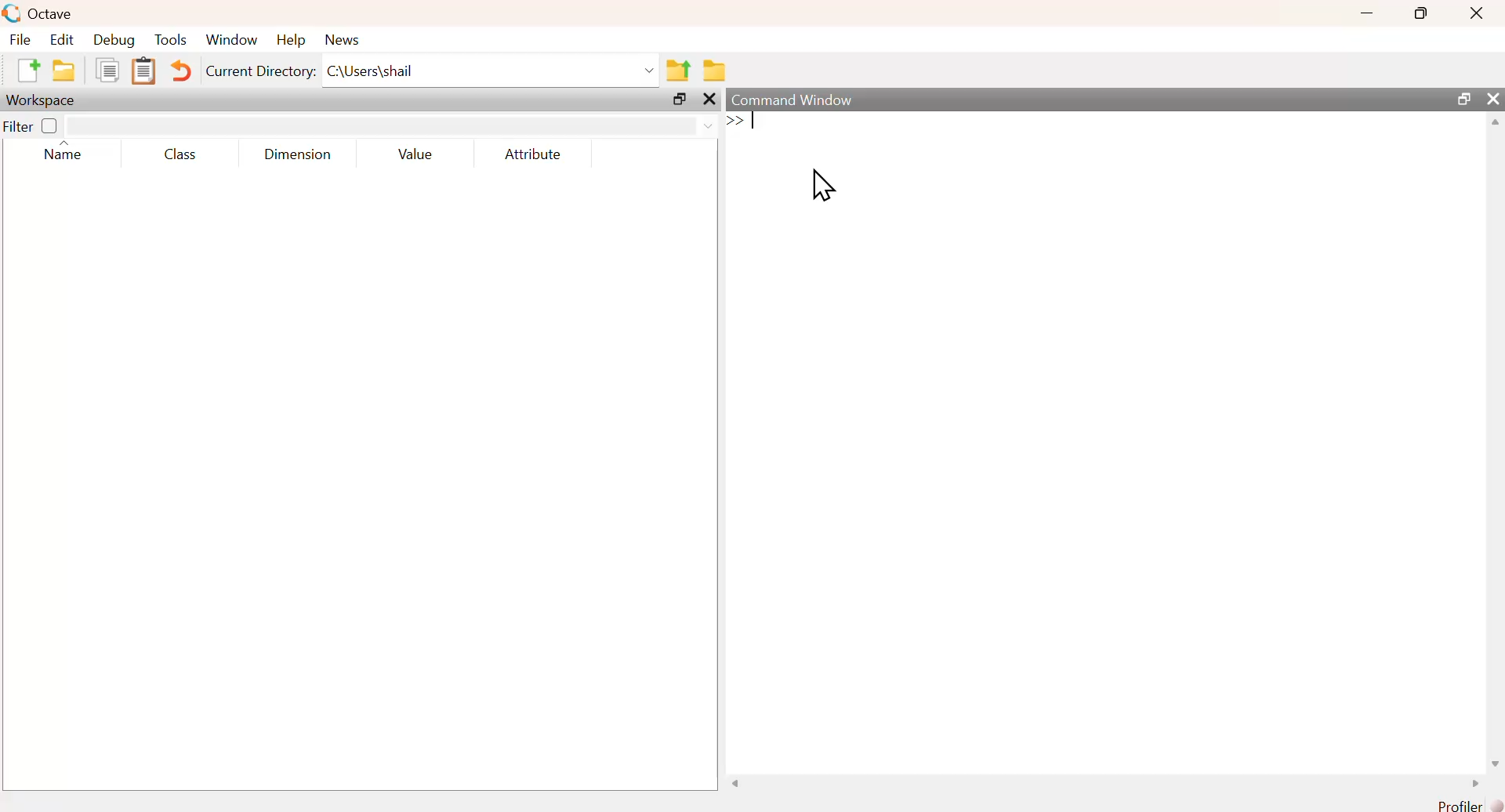 Image resolution: width=1505 pixels, height=812 pixels. I want to click on Octave, so click(53, 14).